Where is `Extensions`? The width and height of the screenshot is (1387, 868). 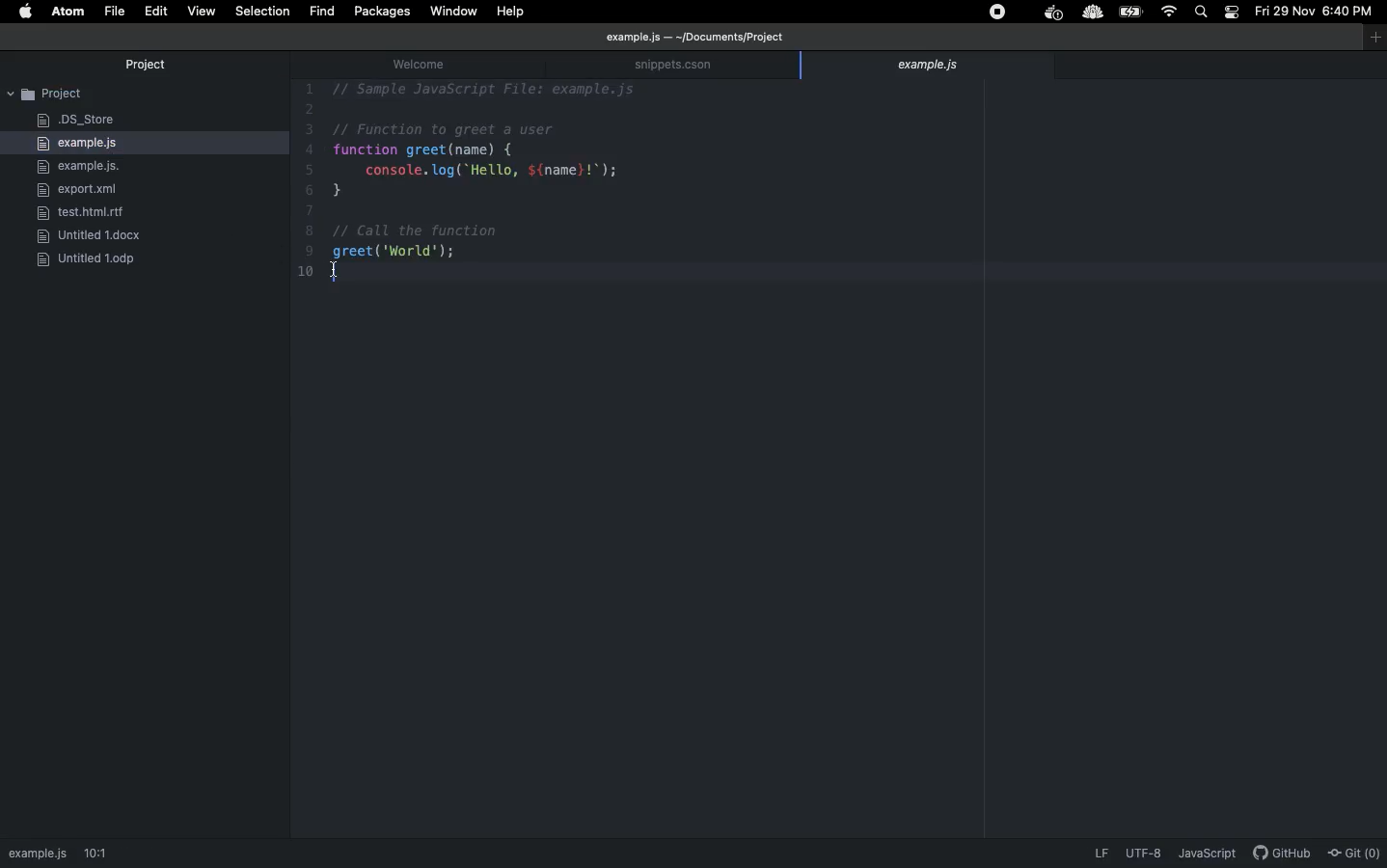
Extensions is located at coordinates (1004, 12).